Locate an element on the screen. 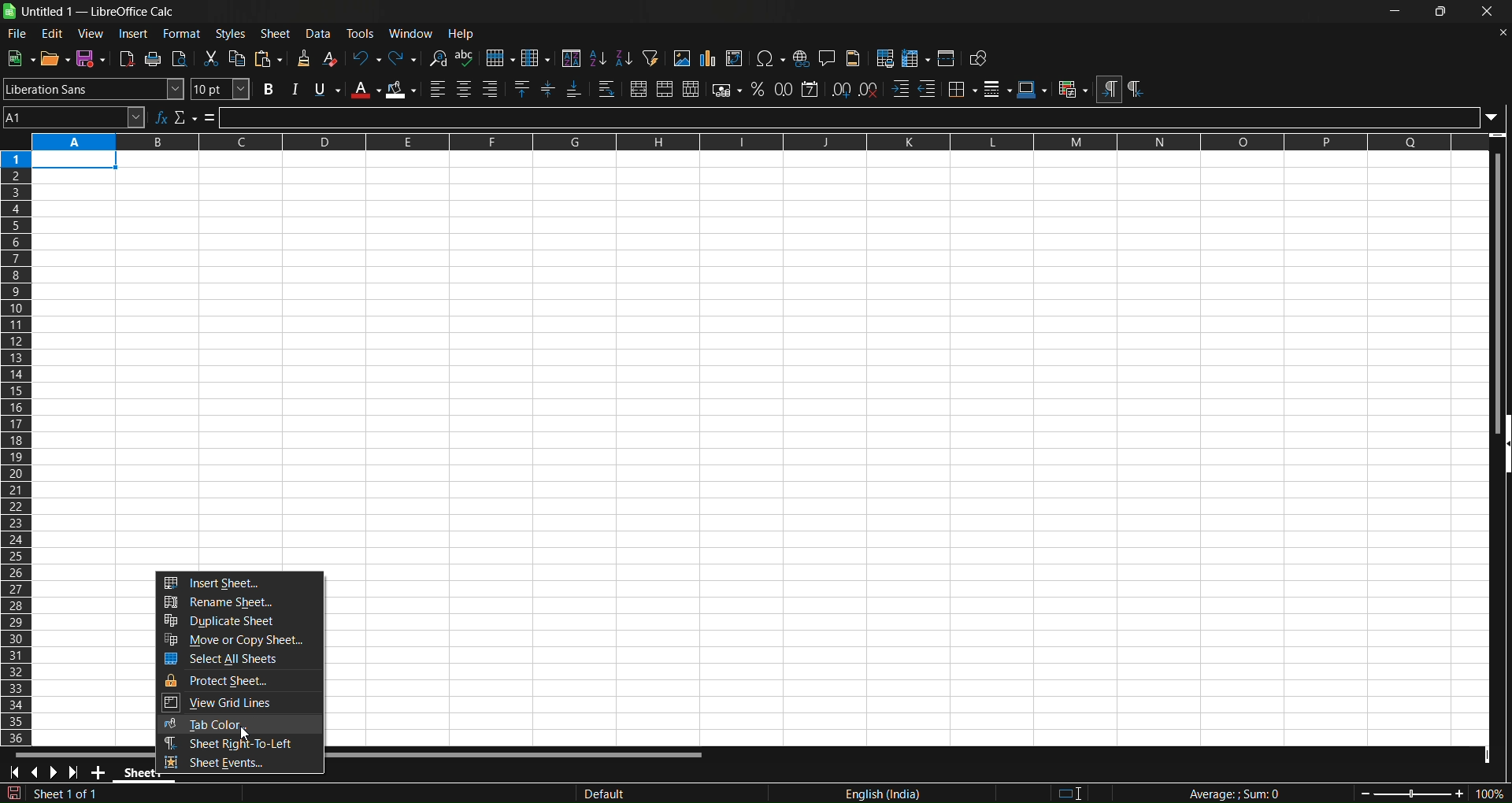 The width and height of the screenshot is (1512, 803). find and replace is located at coordinates (437, 57).